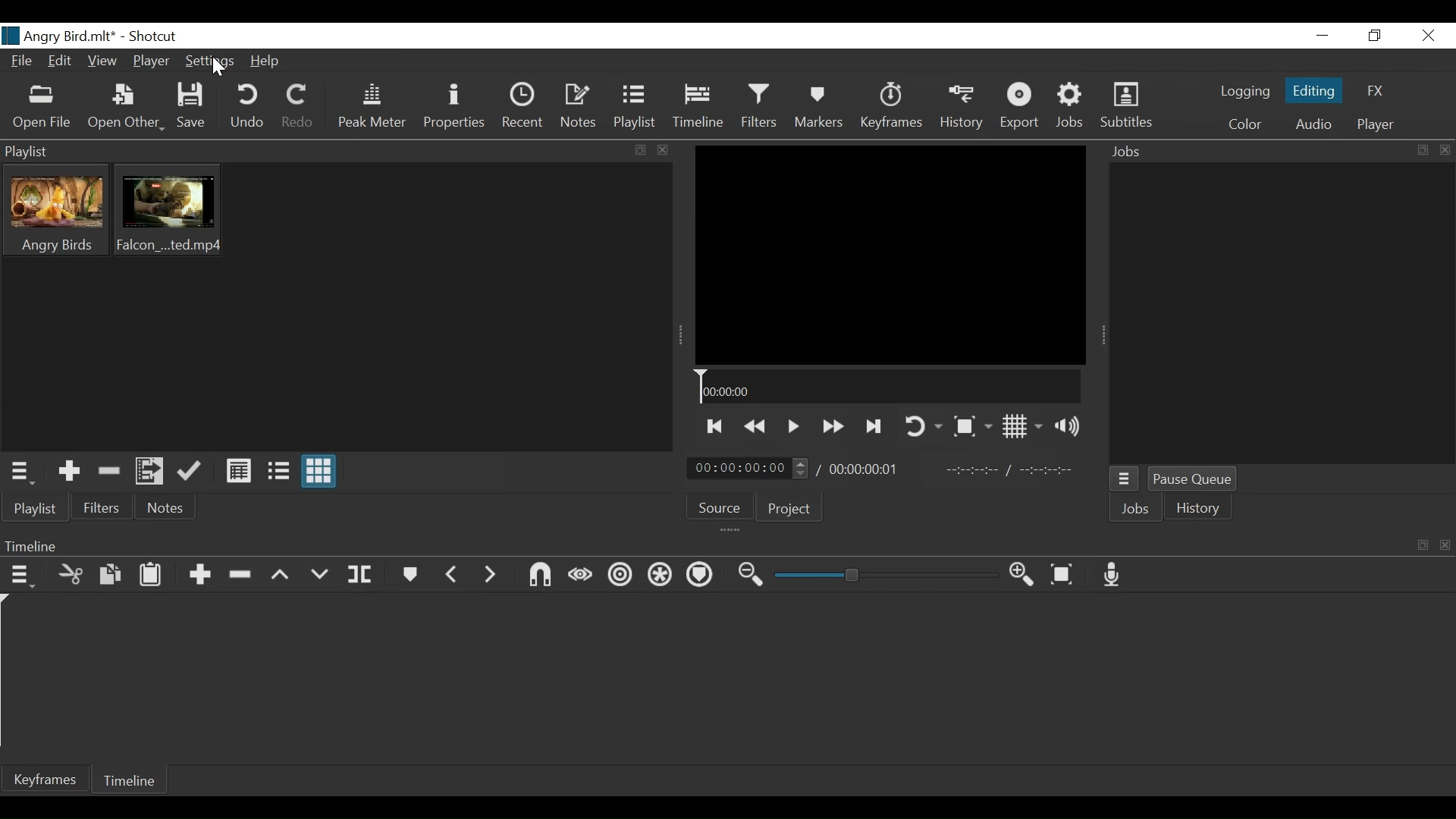 The width and height of the screenshot is (1456, 819). What do you see at coordinates (1021, 106) in the screenshot?
I see `Export` at bounding box center [1021, 106].